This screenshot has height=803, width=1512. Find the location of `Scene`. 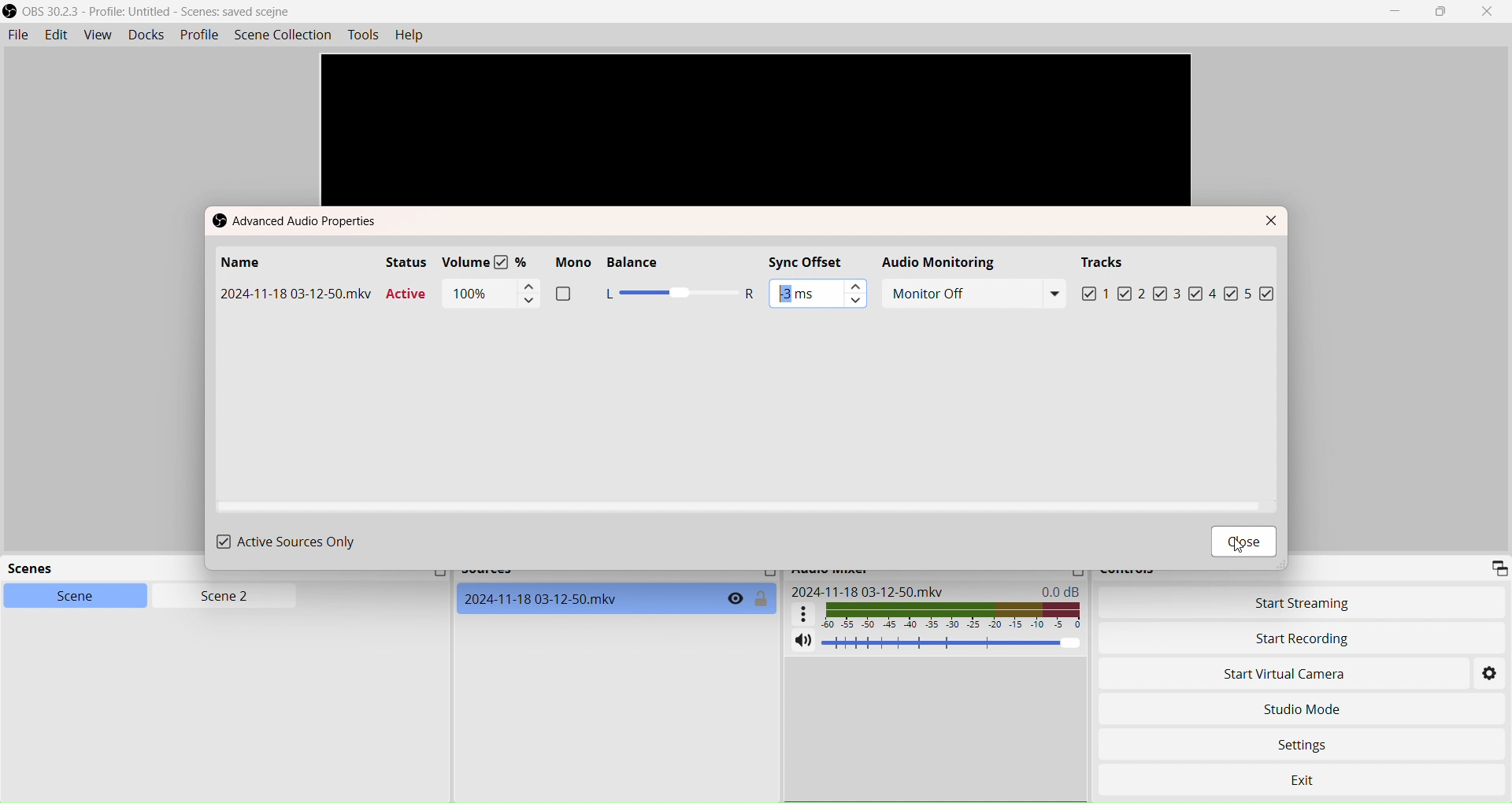

Scene is located at coordinates (65, 595).